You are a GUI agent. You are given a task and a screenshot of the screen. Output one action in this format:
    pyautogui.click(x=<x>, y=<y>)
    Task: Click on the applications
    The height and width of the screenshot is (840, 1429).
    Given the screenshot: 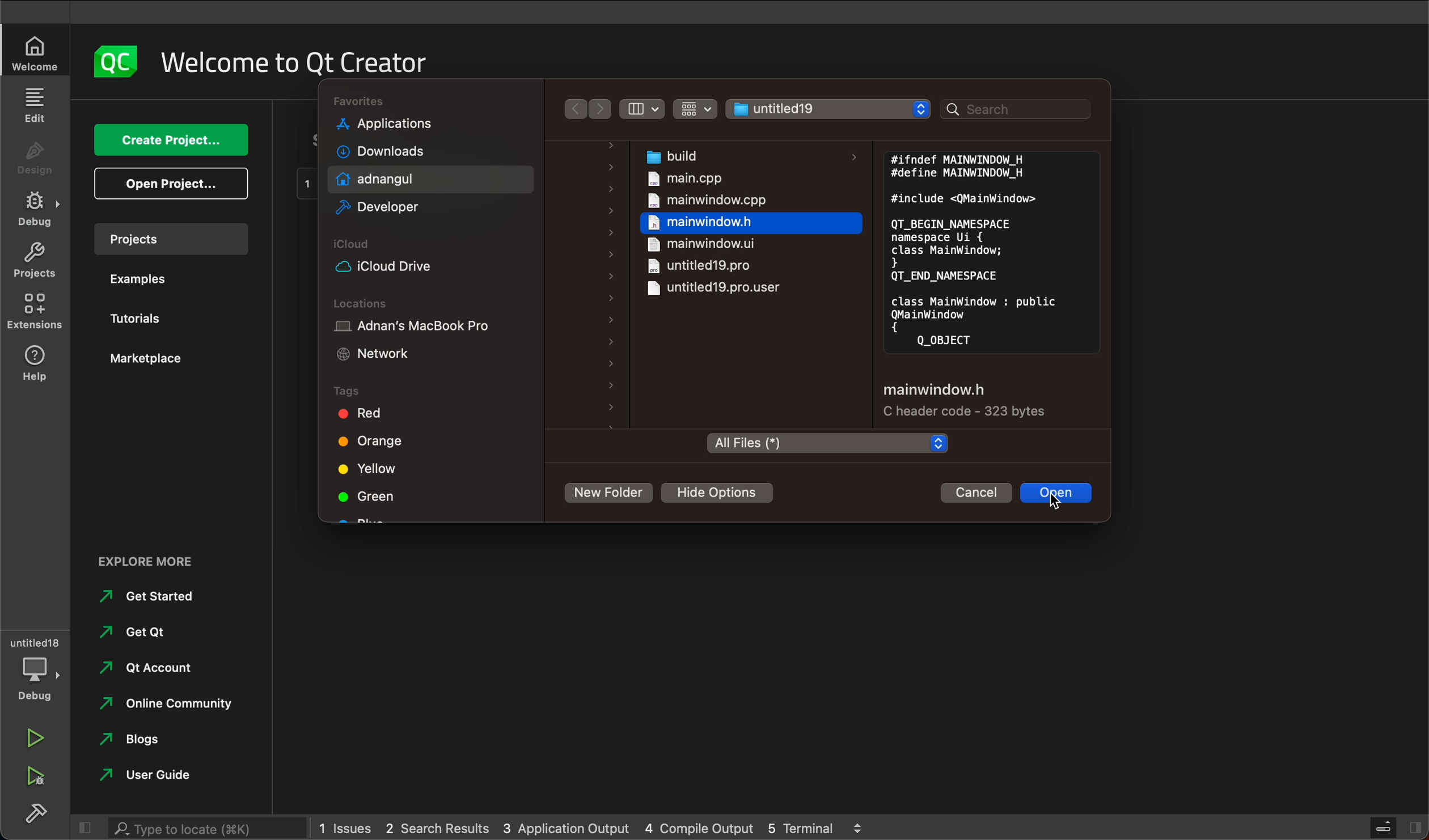 What is the action you would take?
    pyautogui.click(x=405, y=127)
    